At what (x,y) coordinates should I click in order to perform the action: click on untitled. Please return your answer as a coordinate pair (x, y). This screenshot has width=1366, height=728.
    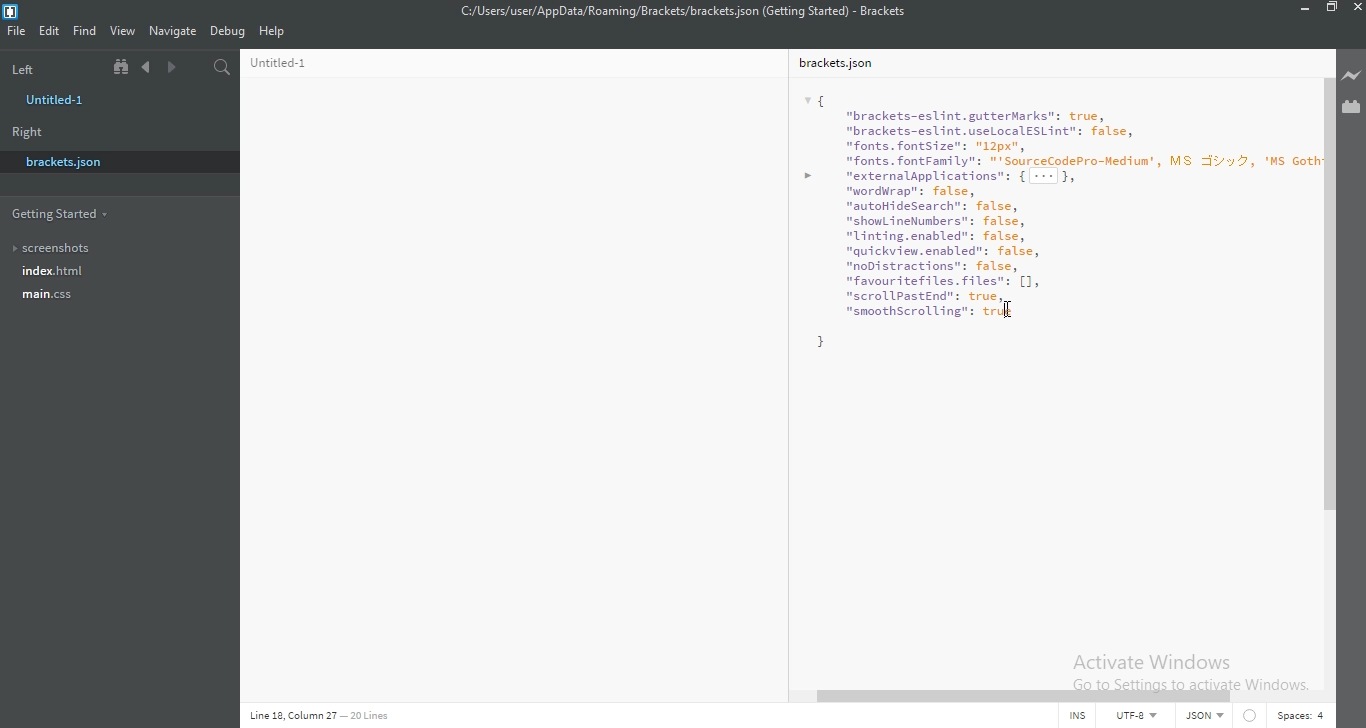
    Looking at the image, I should click on (59, 100).